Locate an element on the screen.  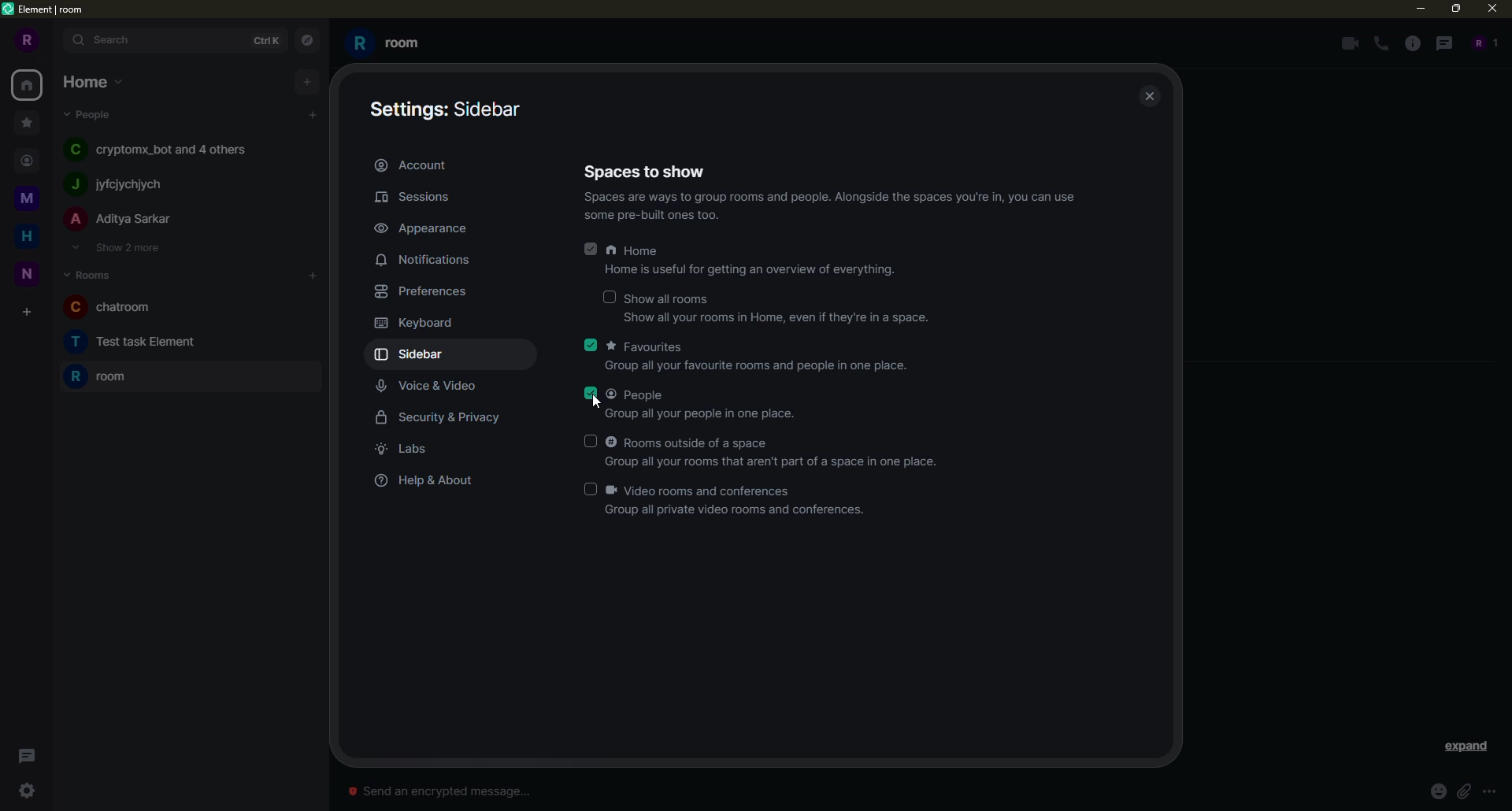
appearance is located at coordinates (423, 227).